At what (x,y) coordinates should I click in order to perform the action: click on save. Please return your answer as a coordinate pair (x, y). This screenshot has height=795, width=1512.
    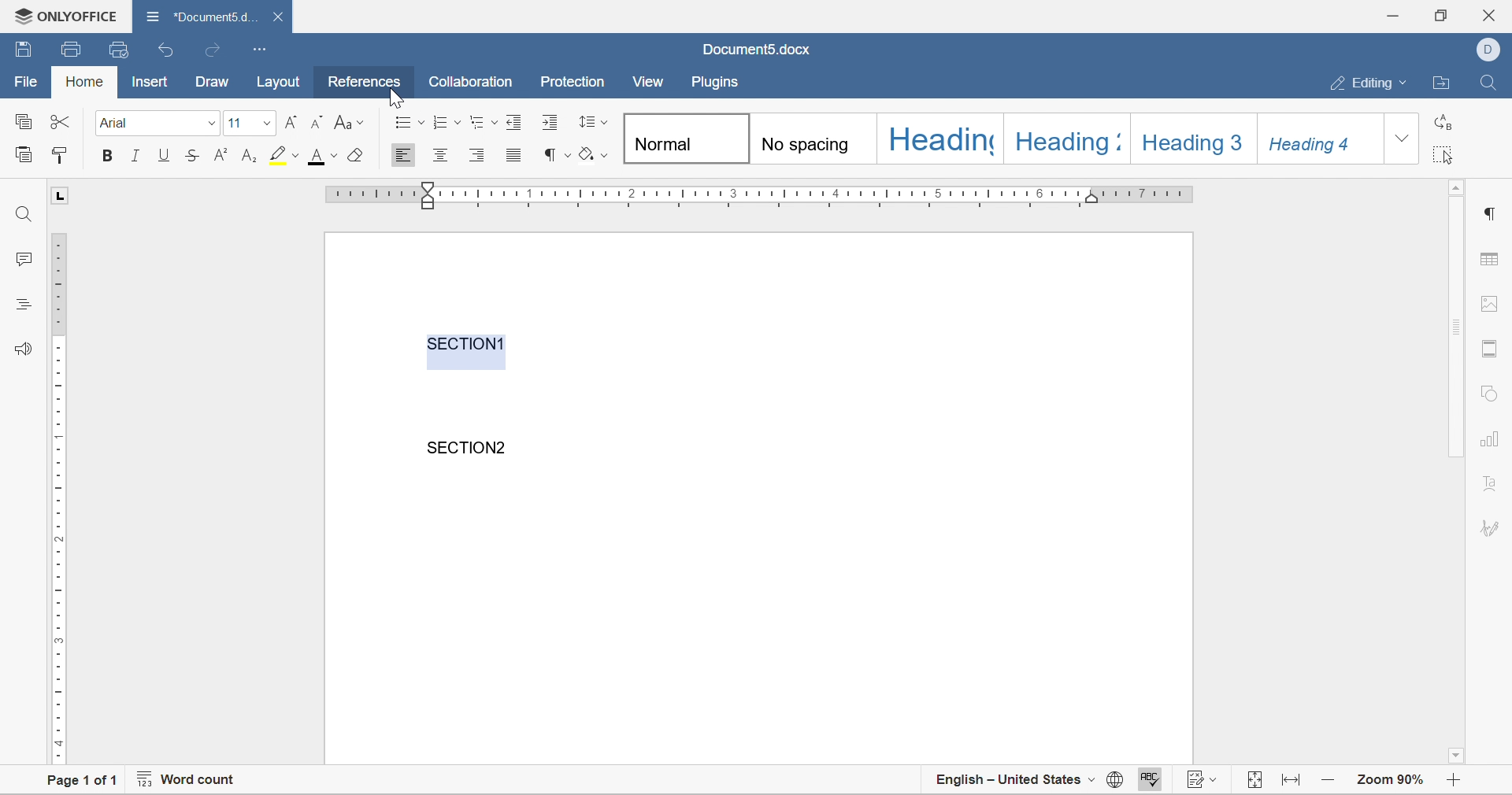
    Looking at the image, I should click on (24, 47).